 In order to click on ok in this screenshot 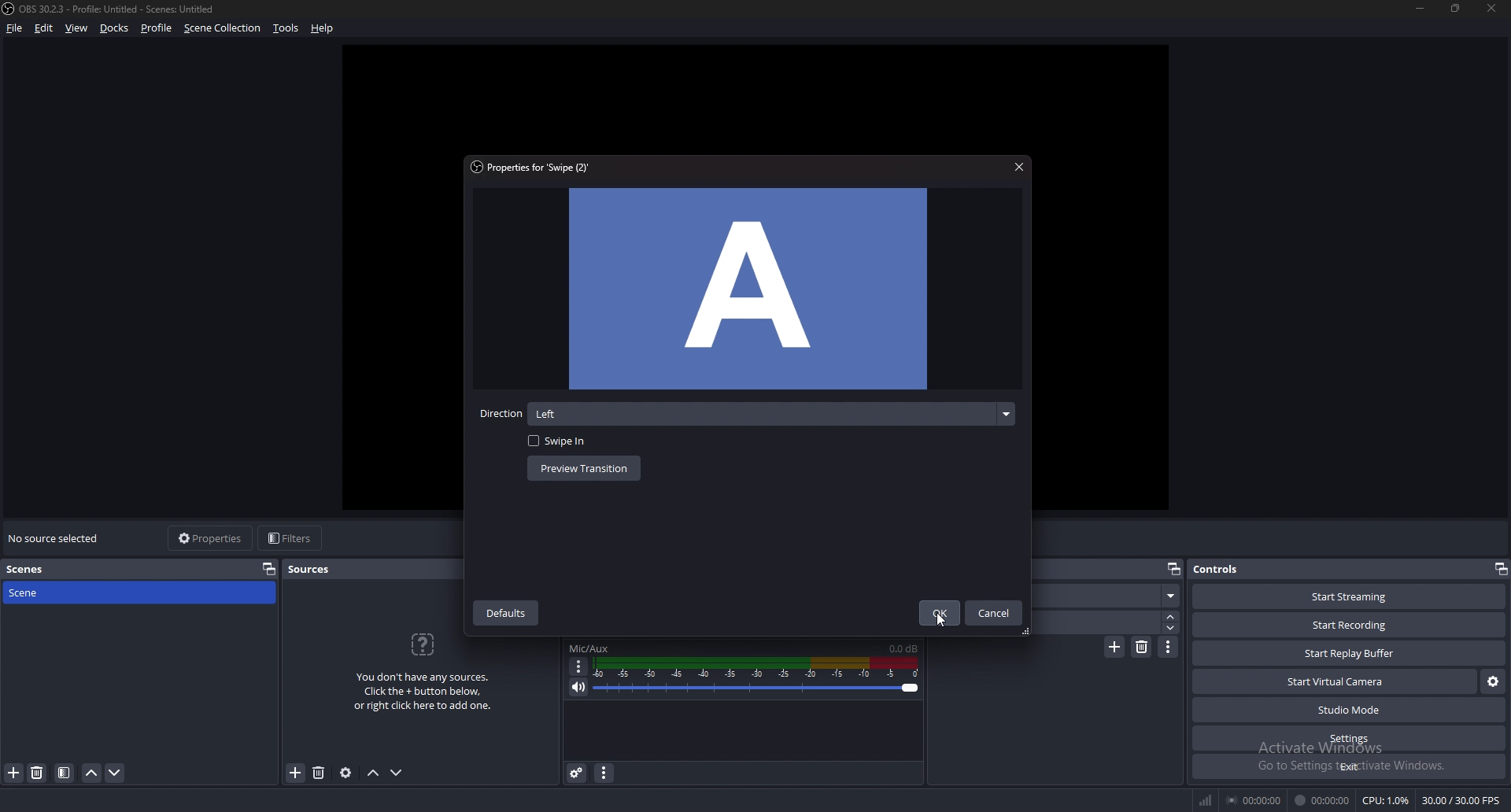, I will do `click(939, 612)`.